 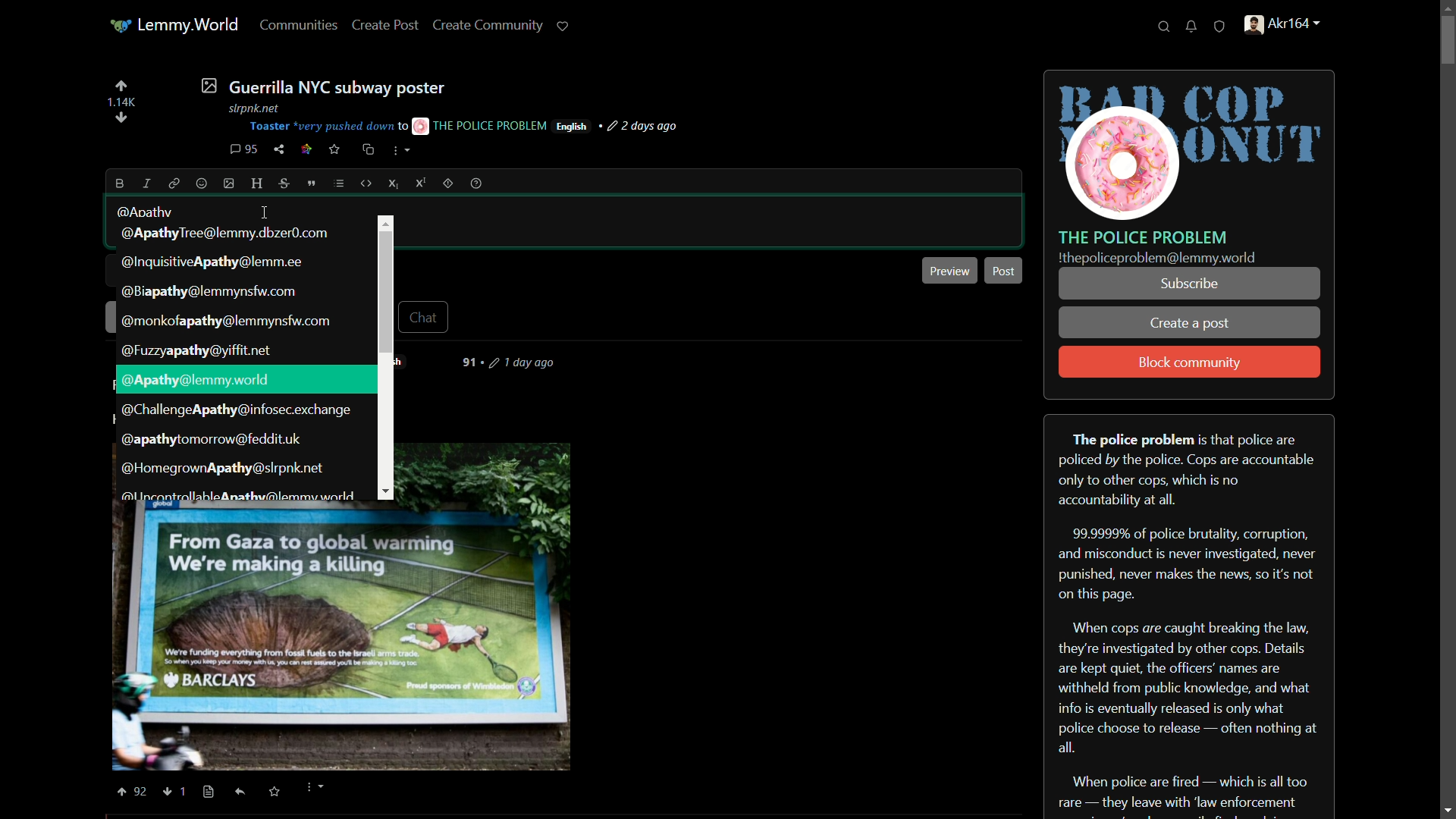 I want to click on bold, so click(x=121, y=184).